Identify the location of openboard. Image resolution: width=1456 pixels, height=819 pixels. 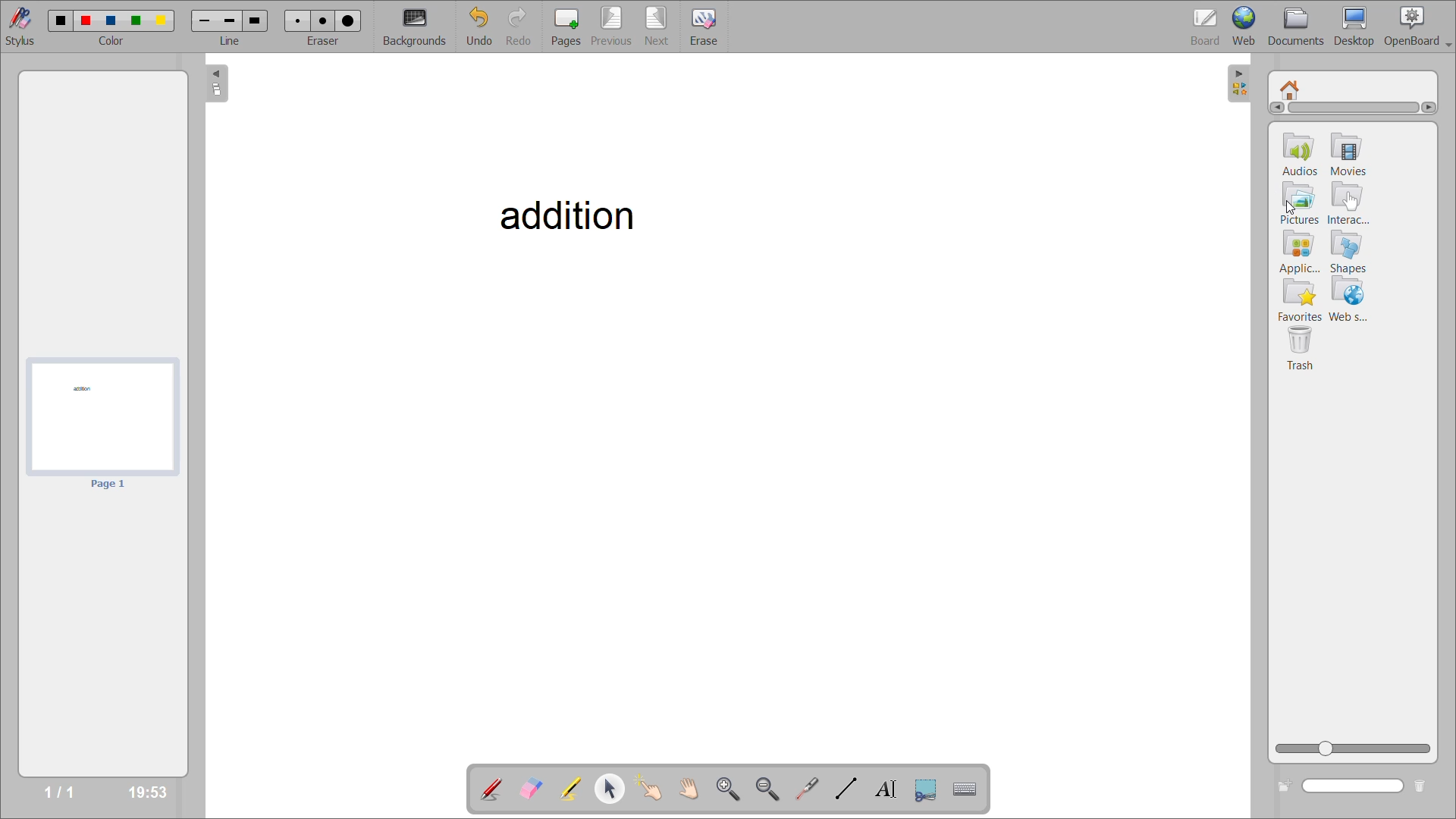
(1420, 27).